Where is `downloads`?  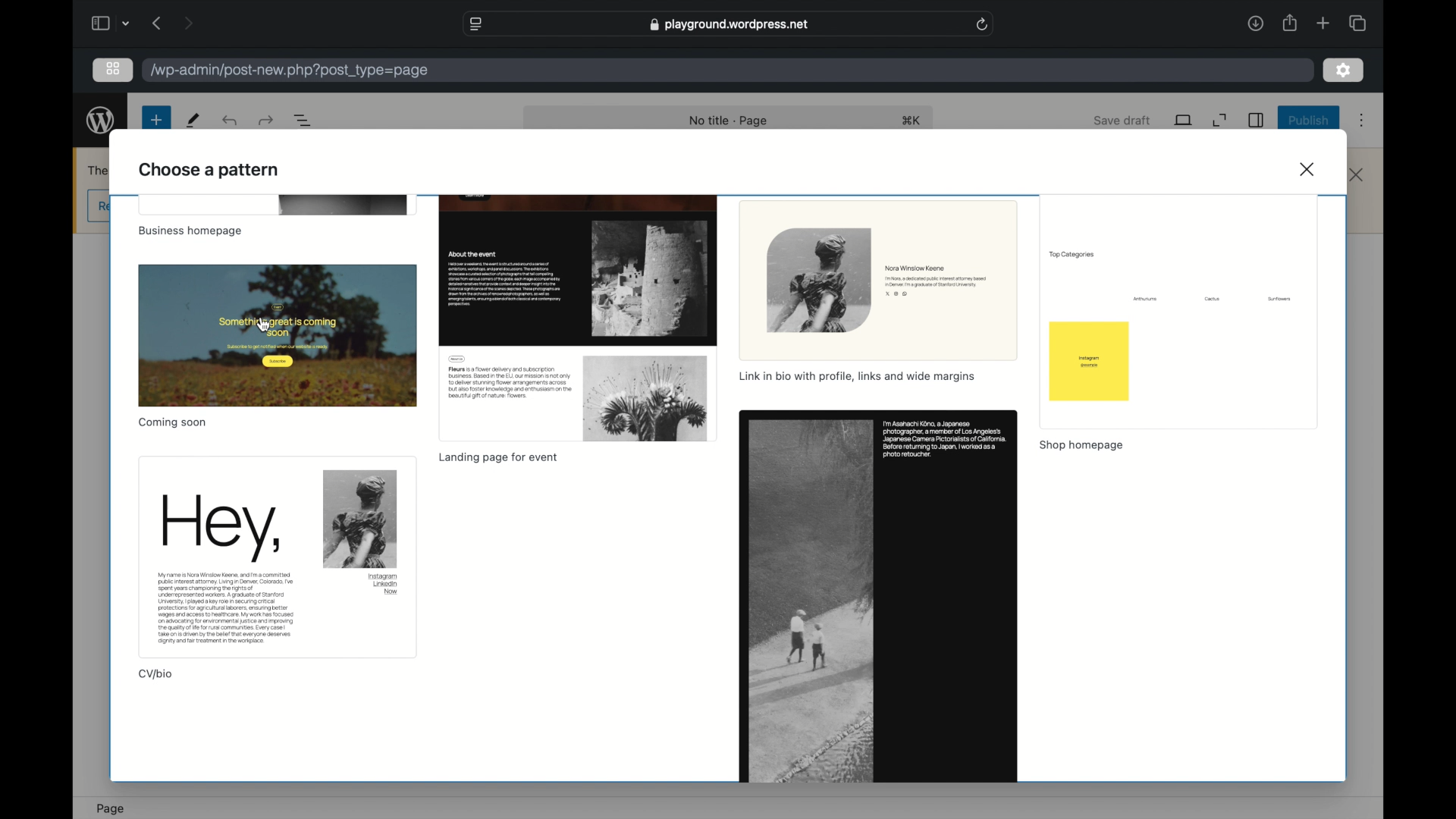
downloads is located at coordinates (1255, 23).